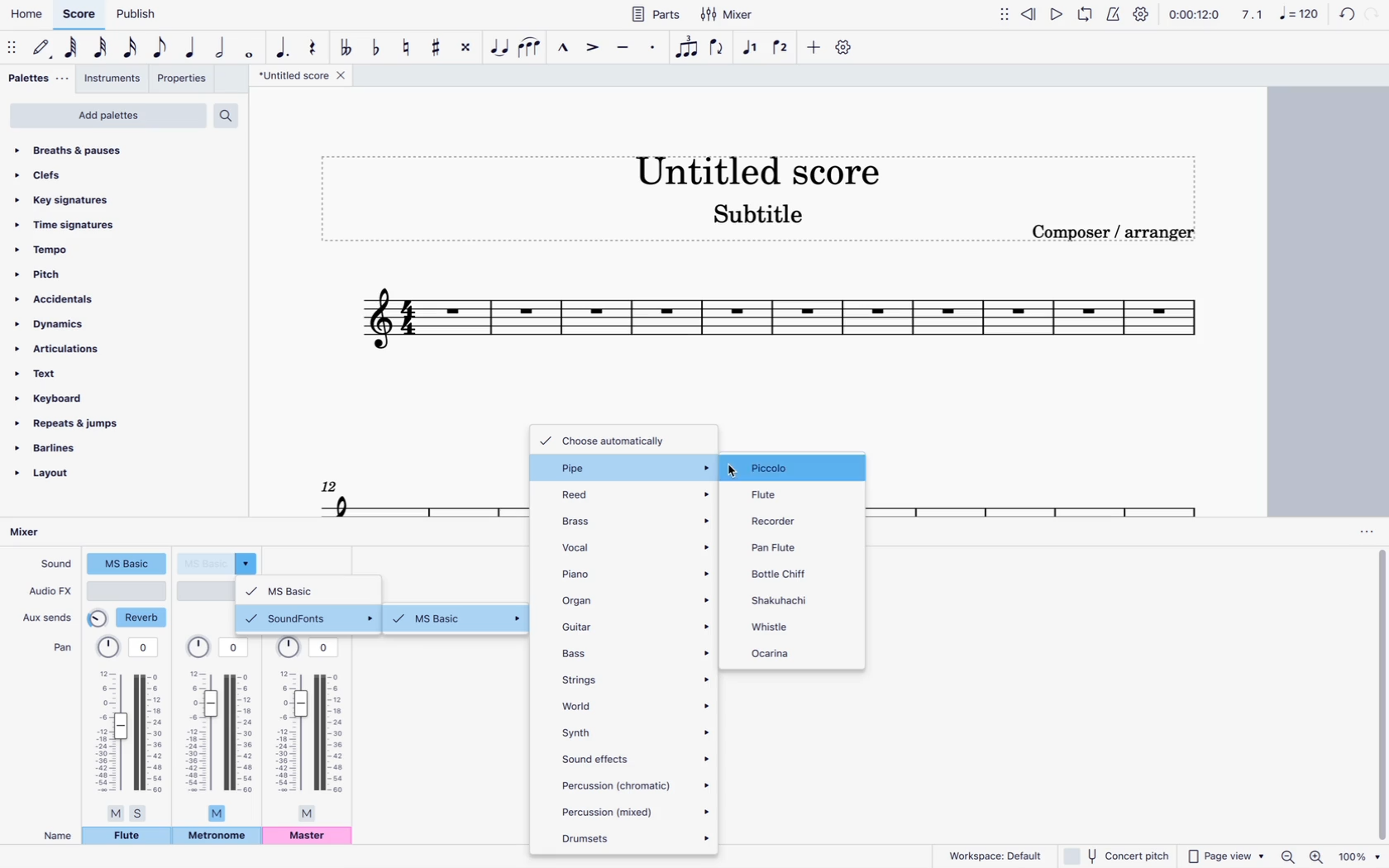 The width and height of the screenshot is (1389, 868). Describe the element at coordinates (751, 48) in the screenshot. I see `voice 1` at that location.